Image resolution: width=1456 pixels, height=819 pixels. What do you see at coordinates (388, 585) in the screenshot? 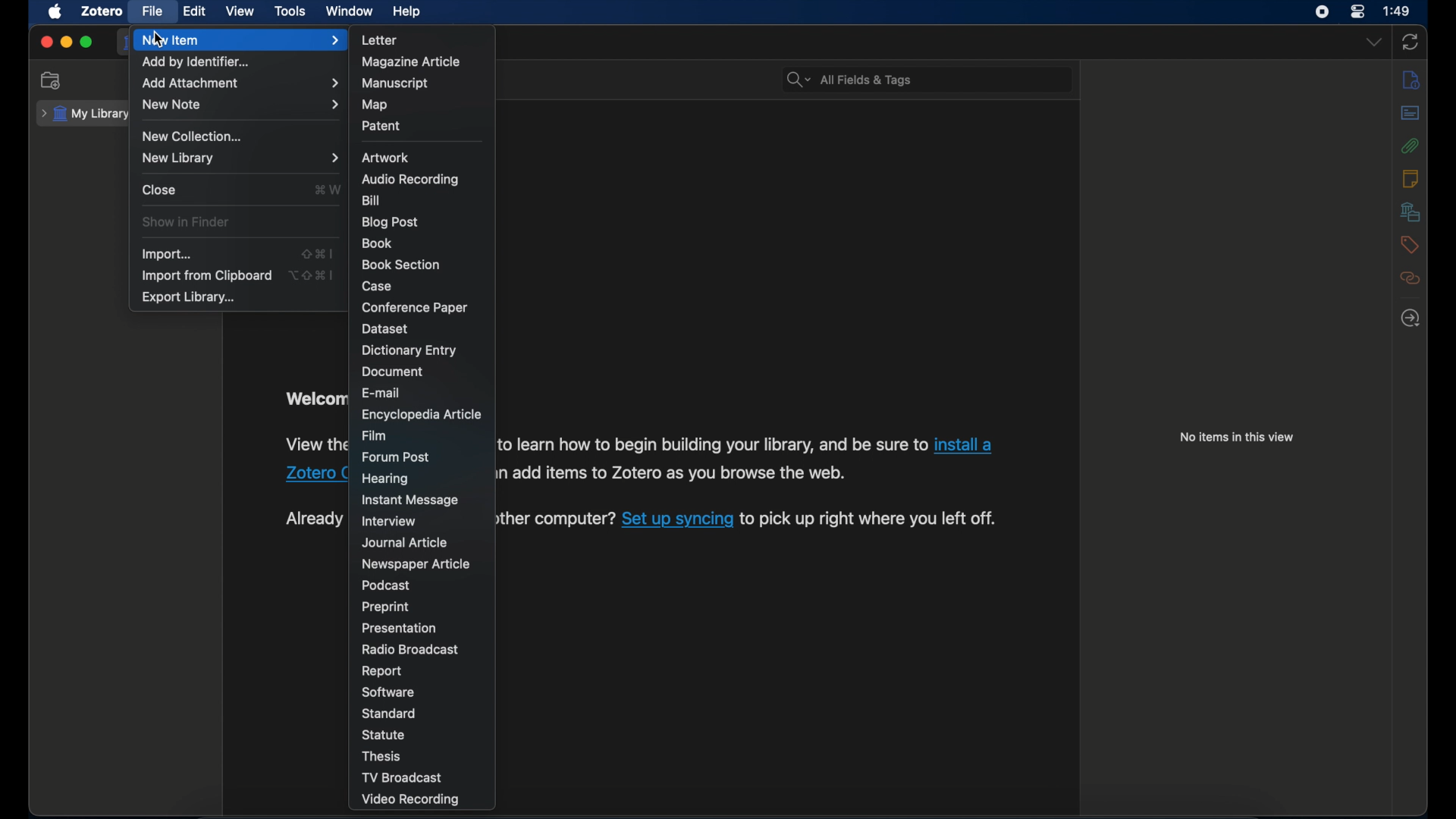
I see `podcast` at bounding box center [388, 585].